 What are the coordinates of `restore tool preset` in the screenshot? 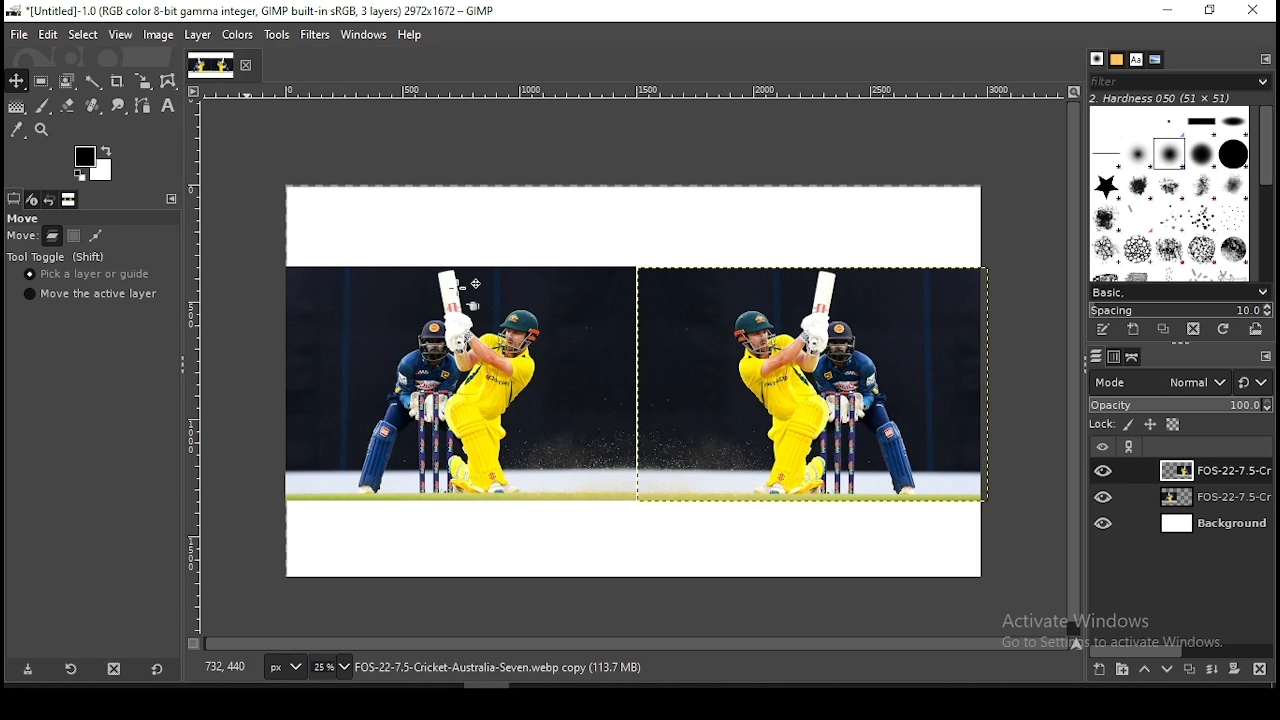 It's located at (70, 670).